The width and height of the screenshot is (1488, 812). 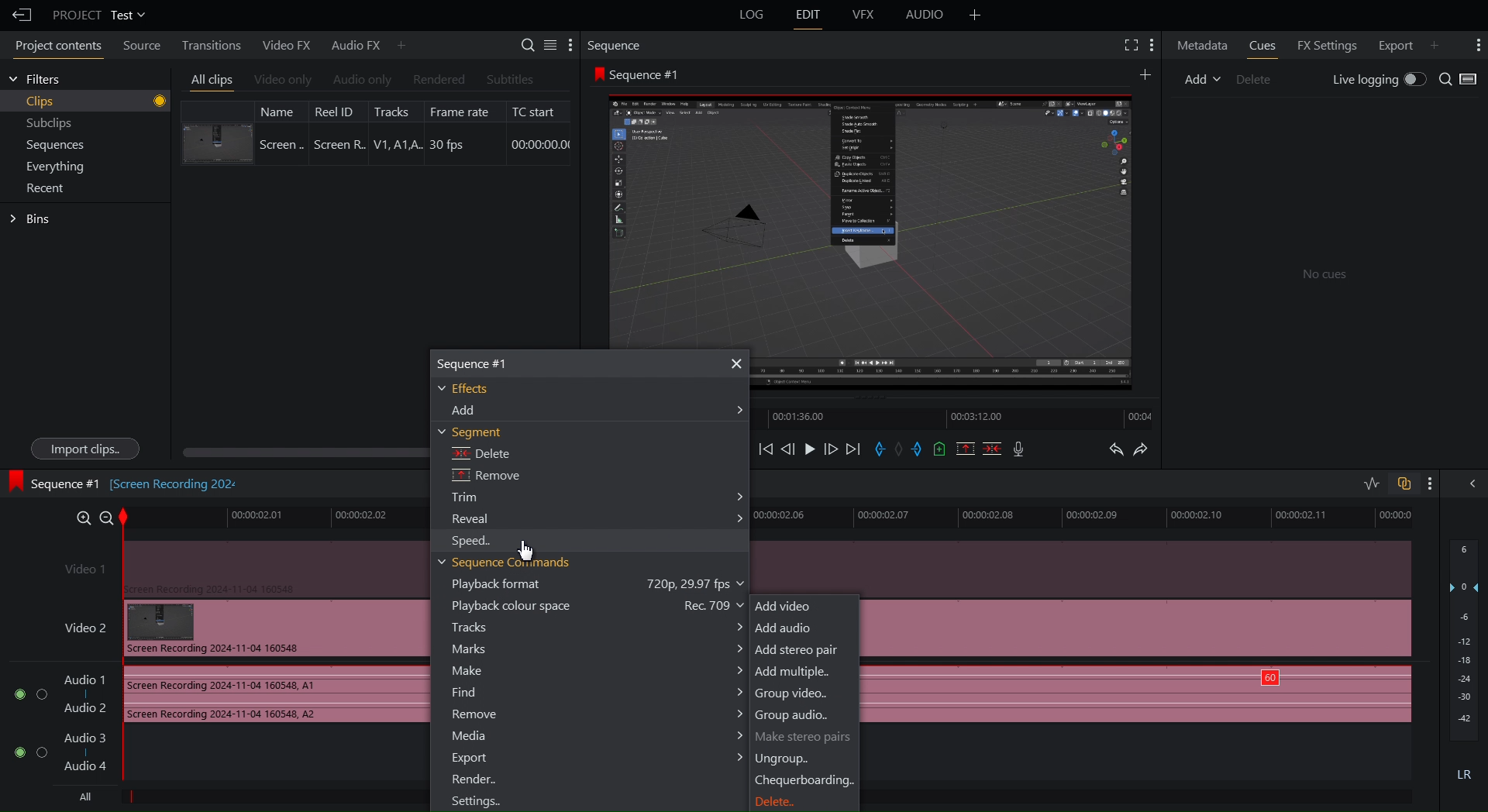 I want to click on Tracks, so click(x=598, y=628).